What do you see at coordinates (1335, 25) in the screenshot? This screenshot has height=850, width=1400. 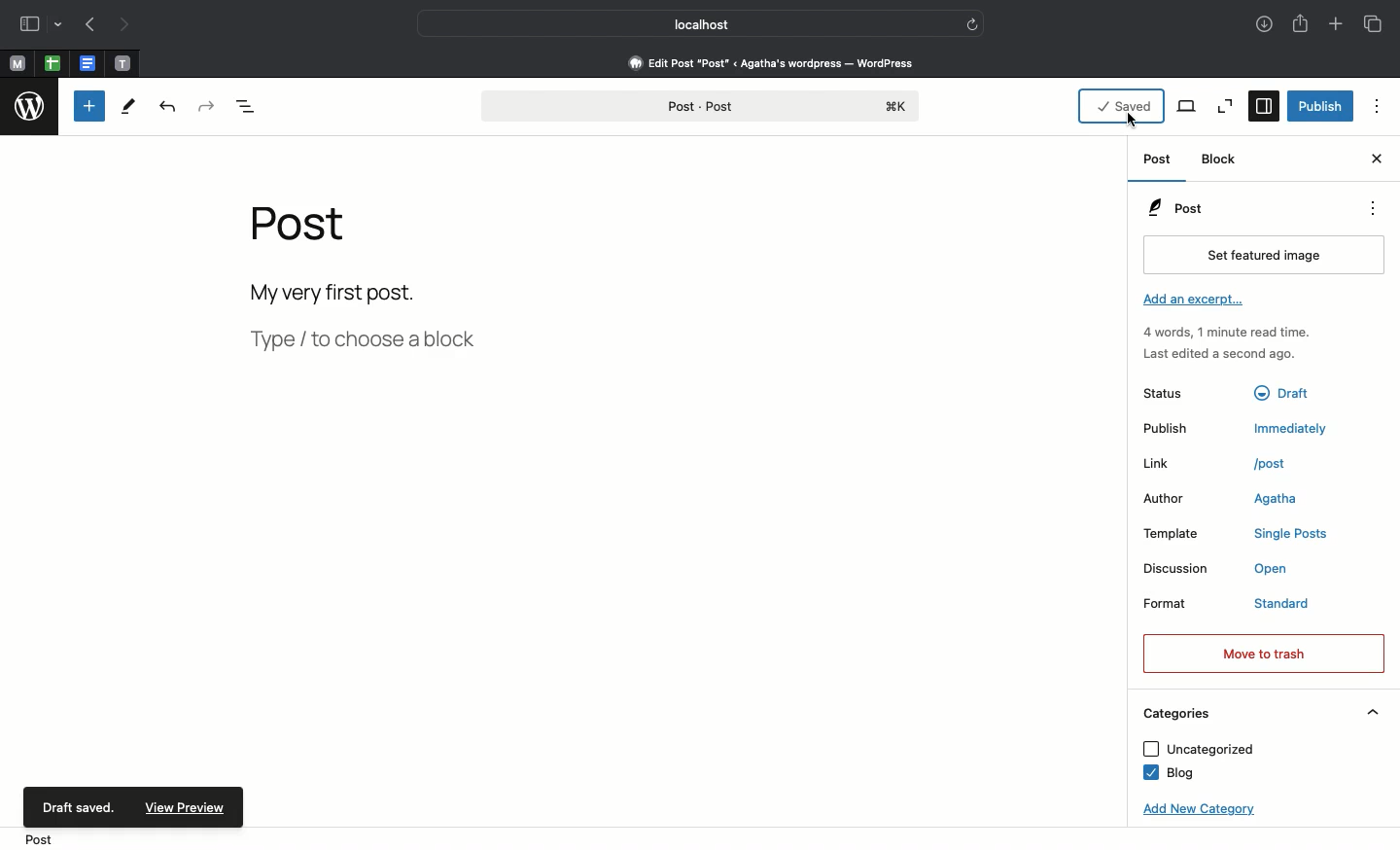 I see `Add new tab` at bounding box center [1335, 25].